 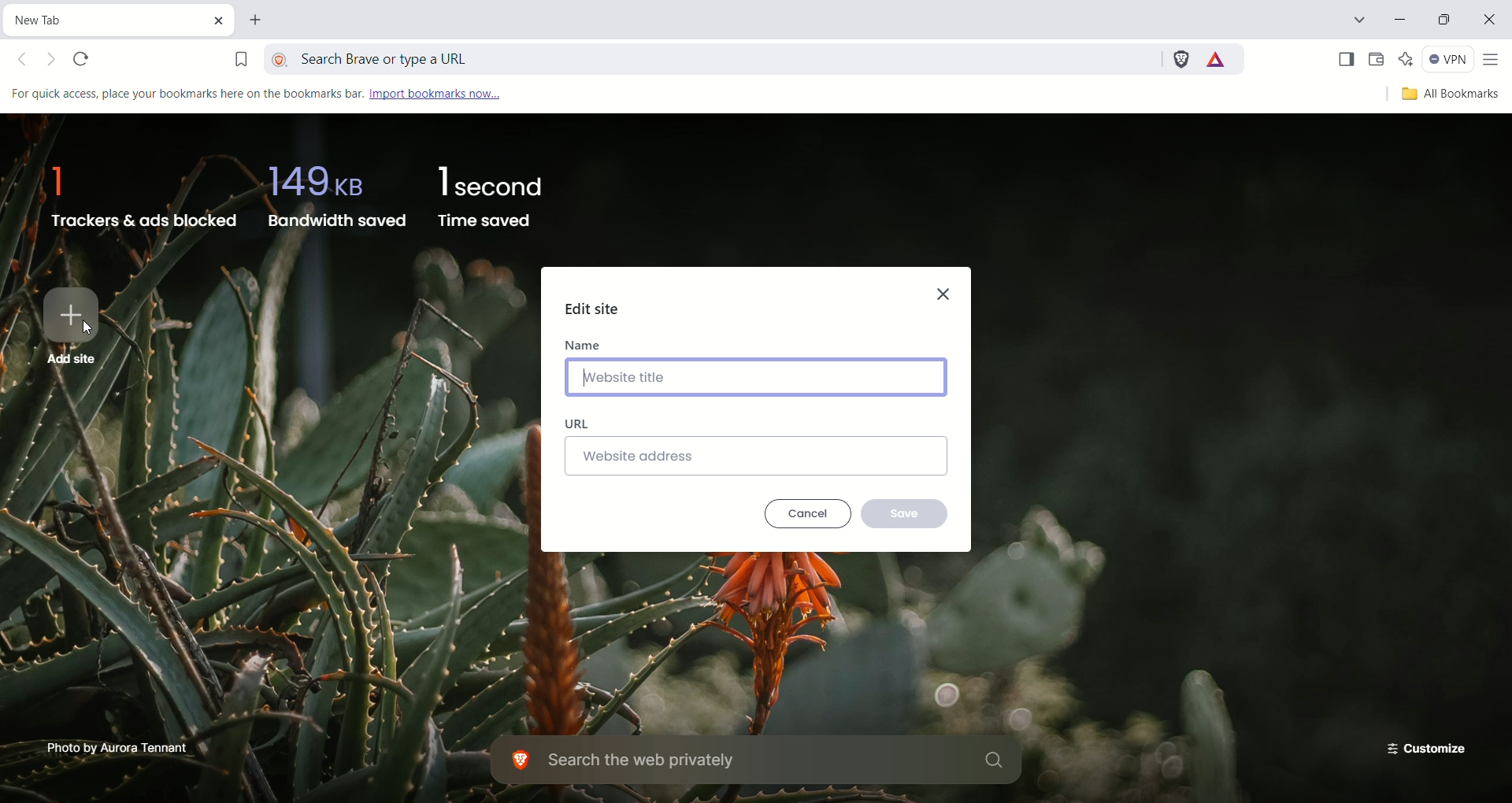 What do you see at coordinates (580, 424) in the screenshot?
I see `URL` at bounding box center [580, 424].